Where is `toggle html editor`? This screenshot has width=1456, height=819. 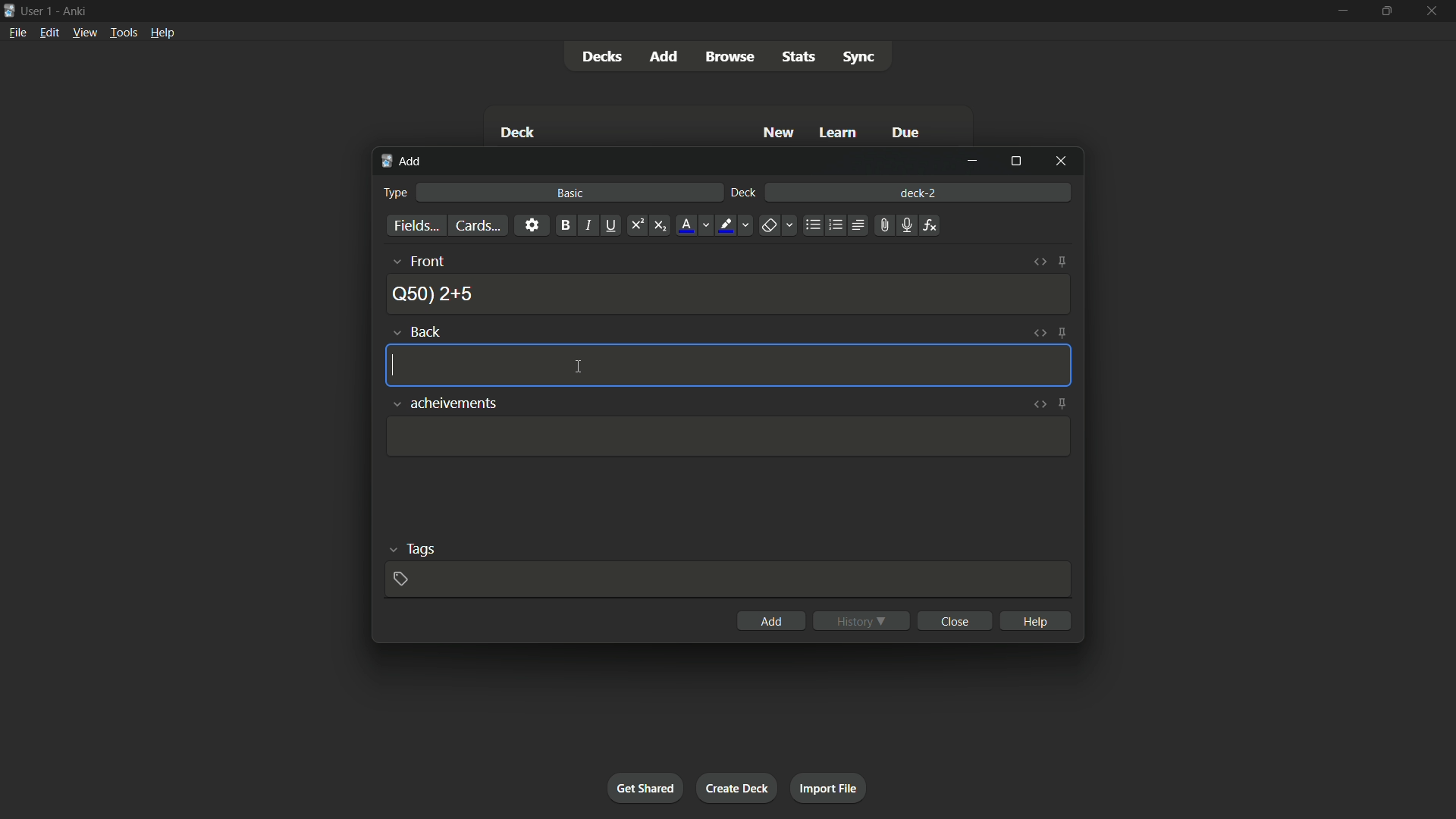 toggle html editor is located at coordinates (1037, 333).